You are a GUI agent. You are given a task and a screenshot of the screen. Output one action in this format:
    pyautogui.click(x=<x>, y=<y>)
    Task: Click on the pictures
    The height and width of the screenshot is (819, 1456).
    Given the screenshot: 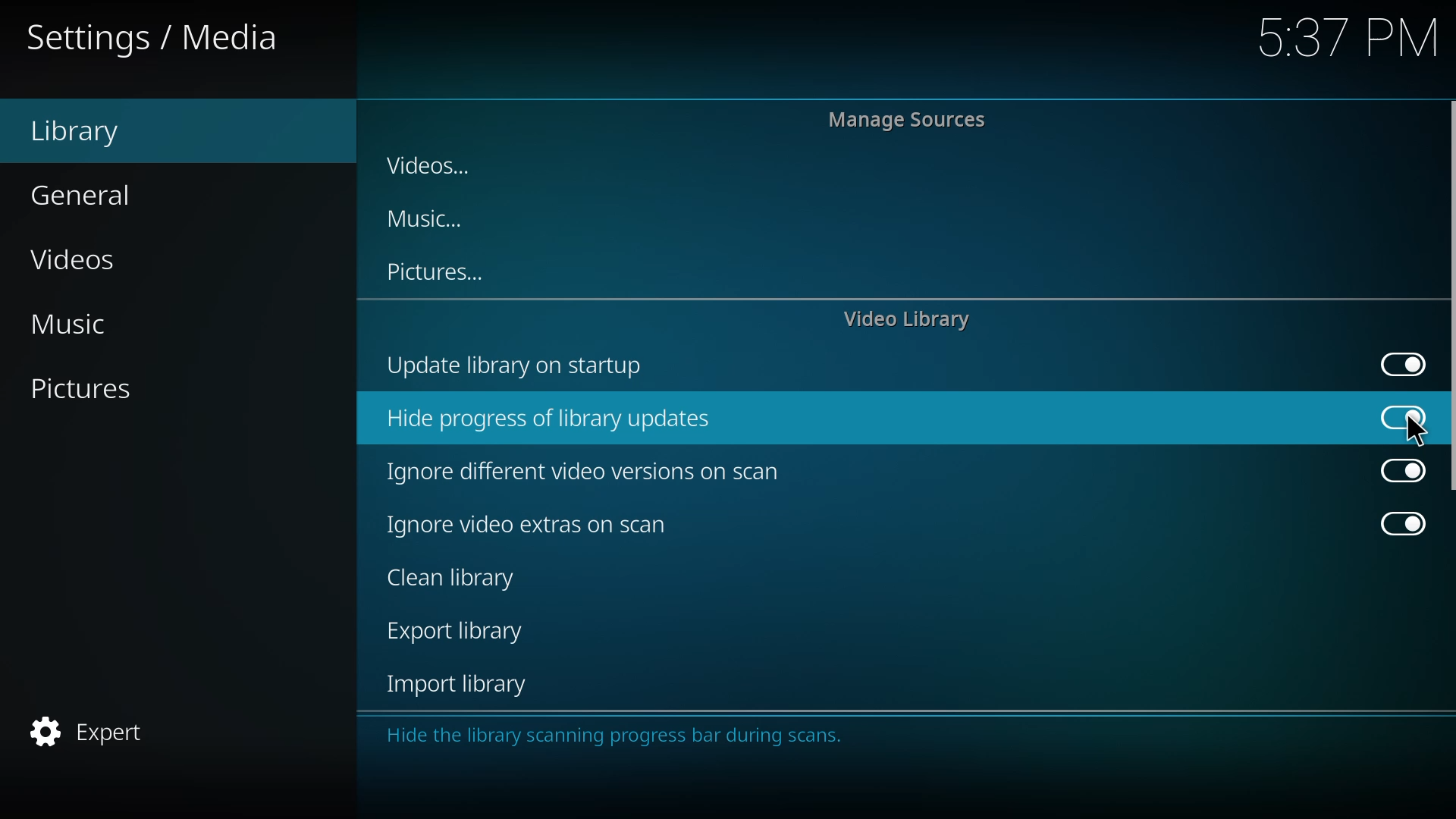 What is the action you would take?
    pyautogui.click(x=100, y=389)
    